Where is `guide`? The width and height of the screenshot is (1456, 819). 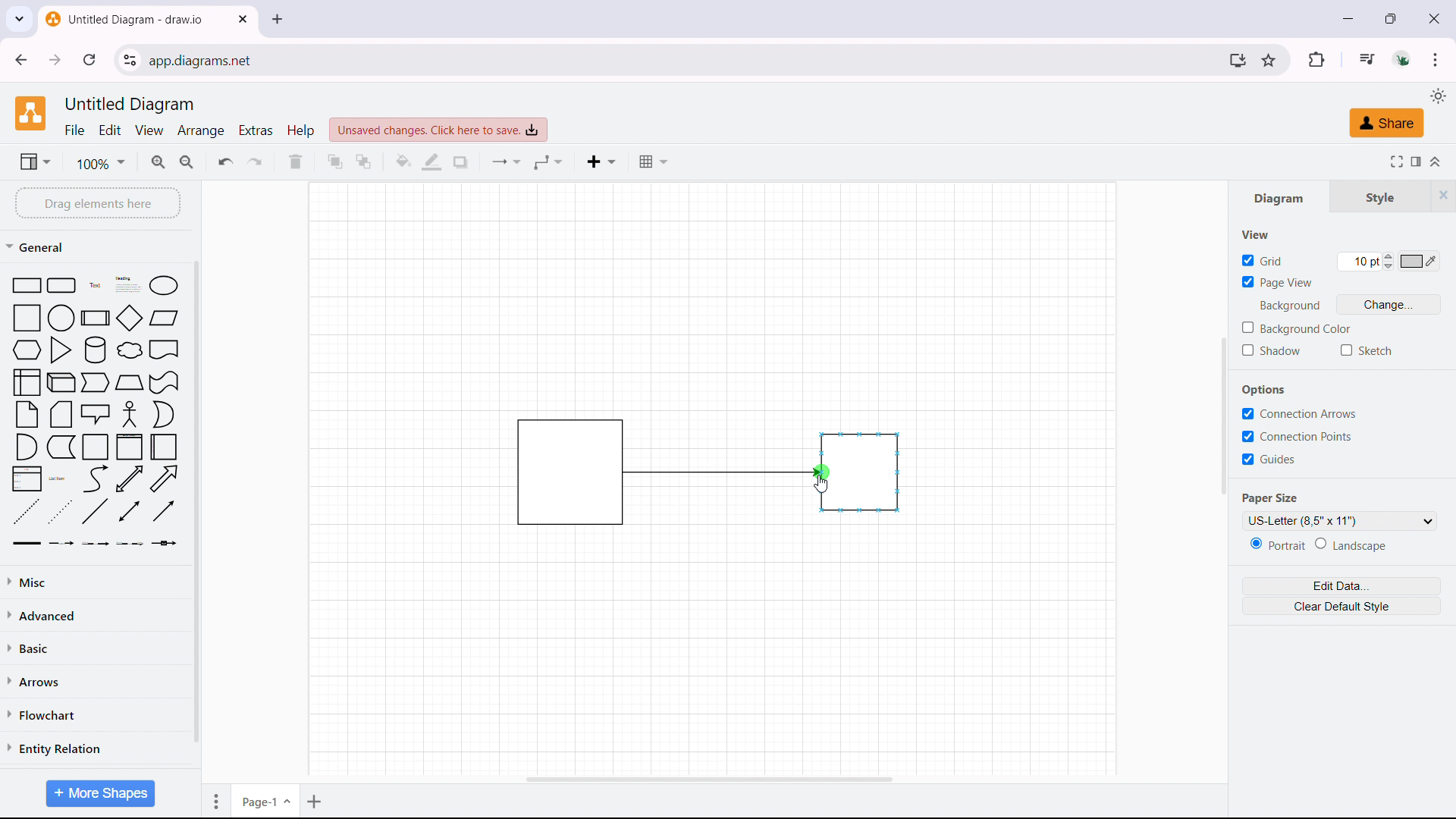
guide is located at coordinates (1268, 459).